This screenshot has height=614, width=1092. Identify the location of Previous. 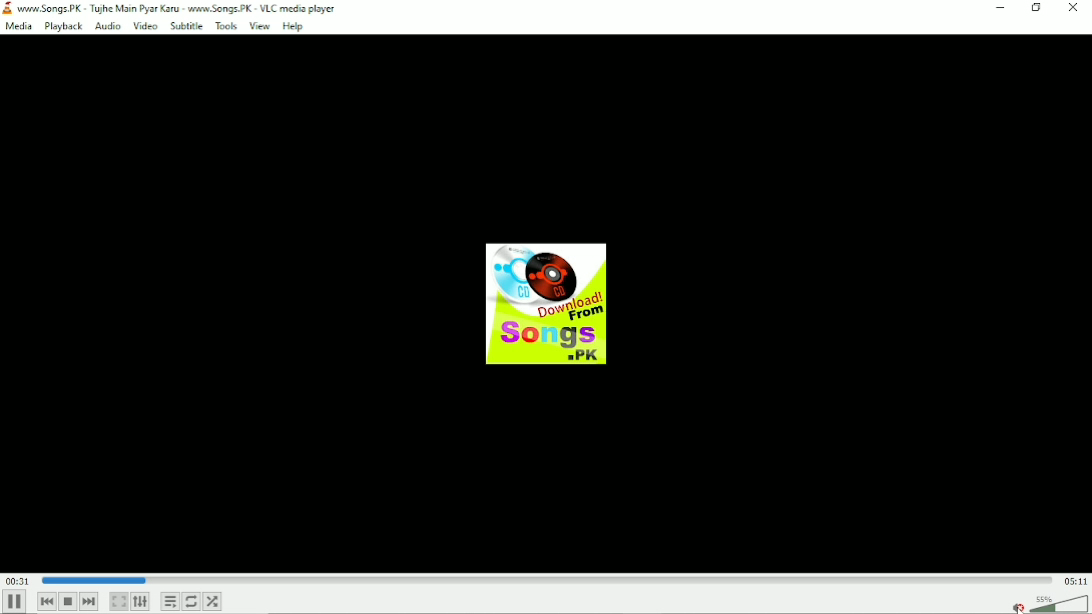
(46, 602).